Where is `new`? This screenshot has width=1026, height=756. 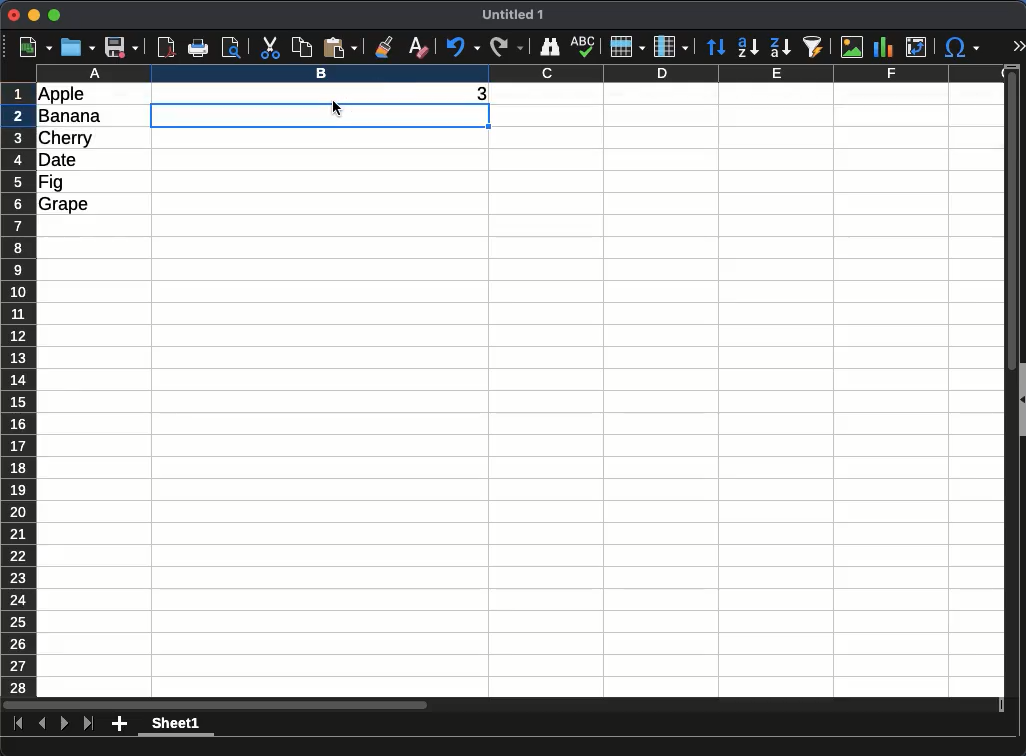
new is located at coordinates (36, 48).